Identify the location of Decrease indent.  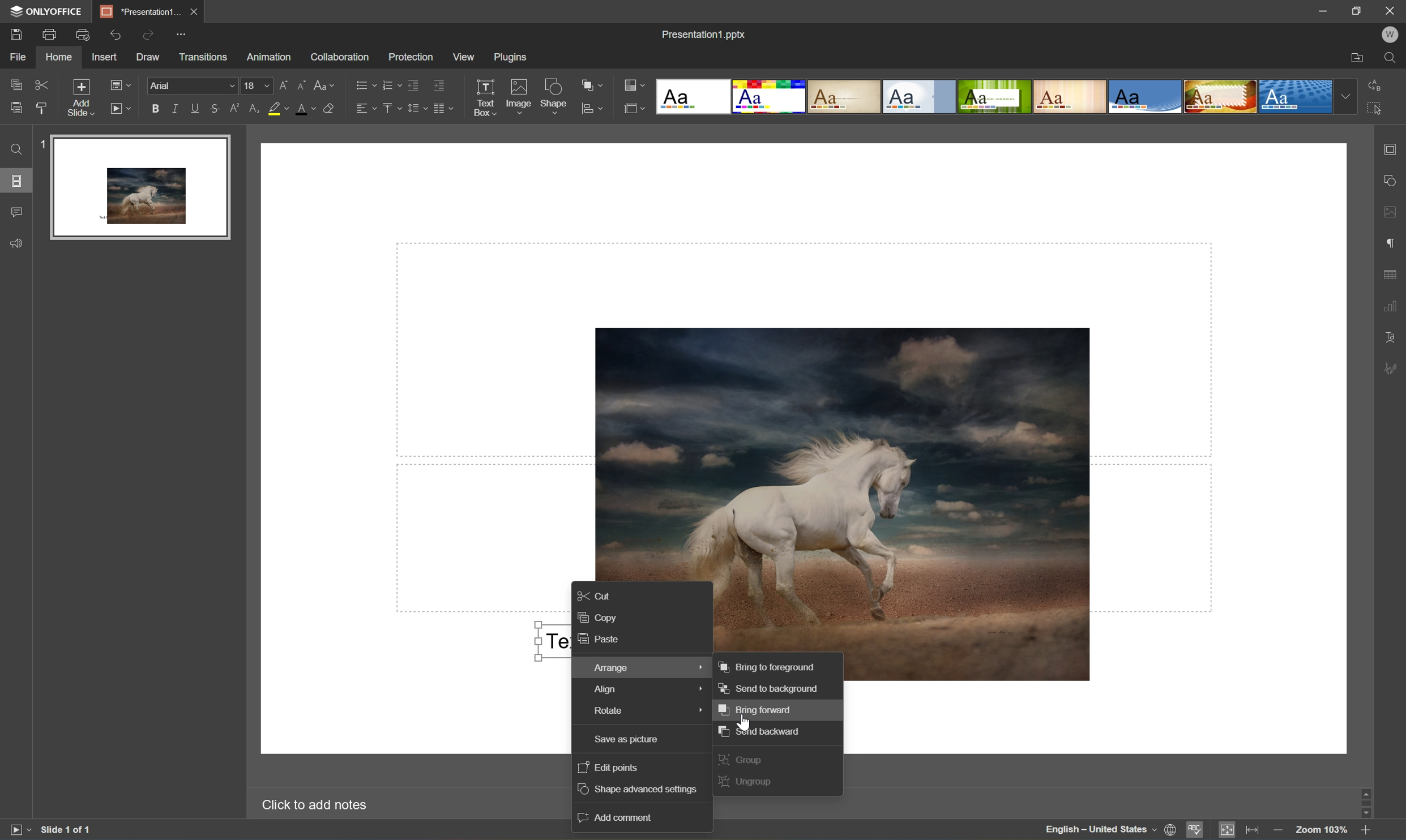
(412, 83).